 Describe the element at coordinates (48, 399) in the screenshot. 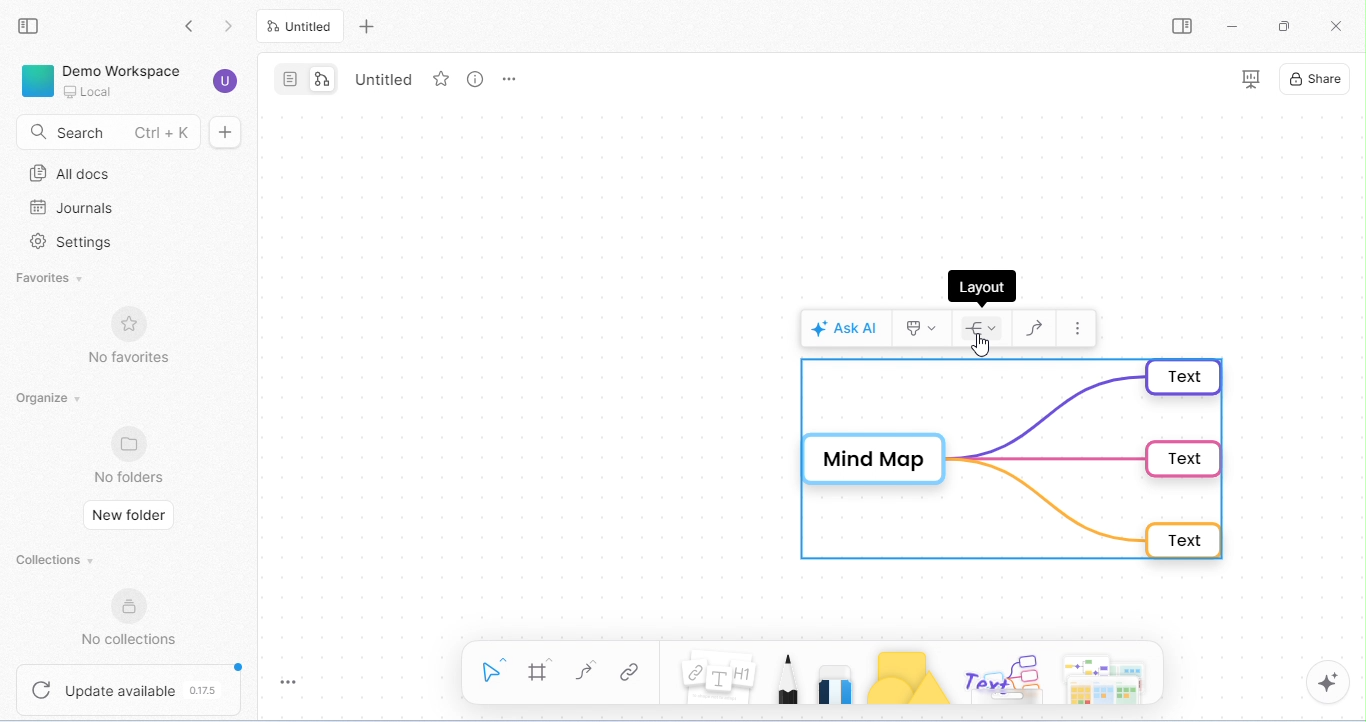

I see `organize` at that location.